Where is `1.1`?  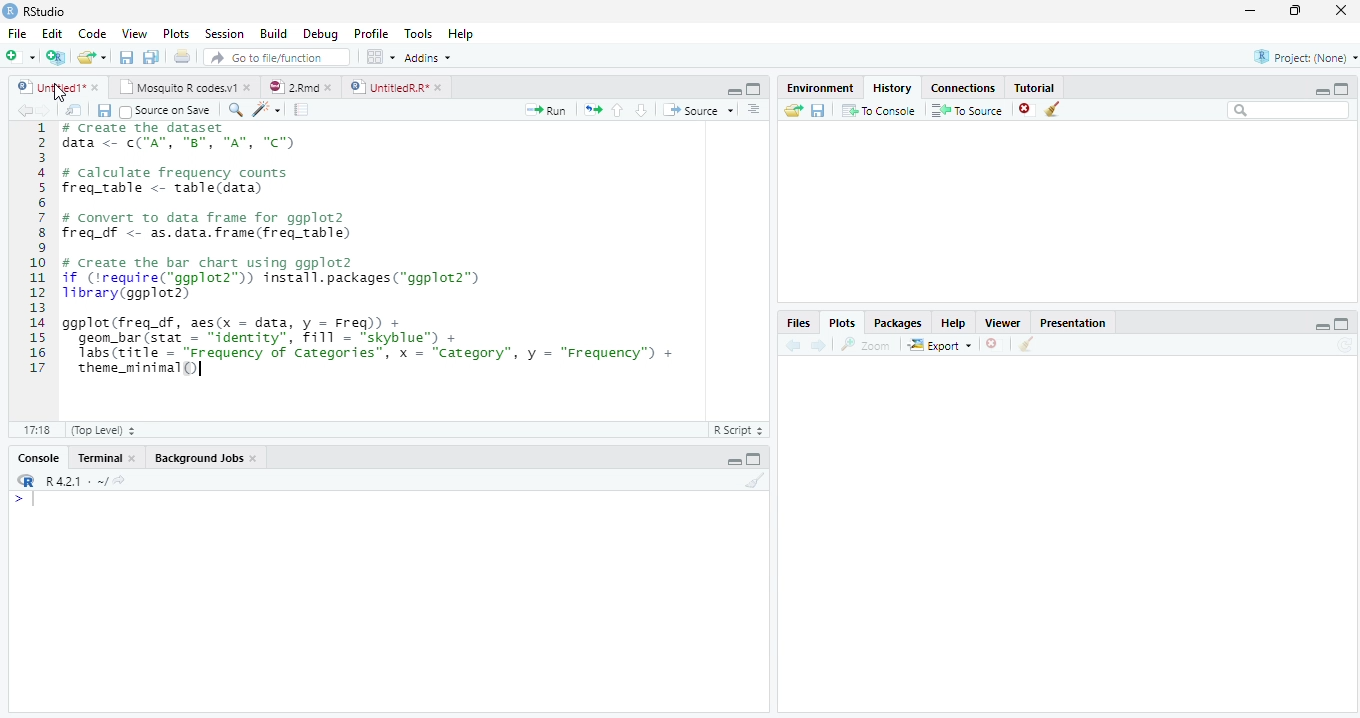 1.1 is located at coordinates (32, 429).